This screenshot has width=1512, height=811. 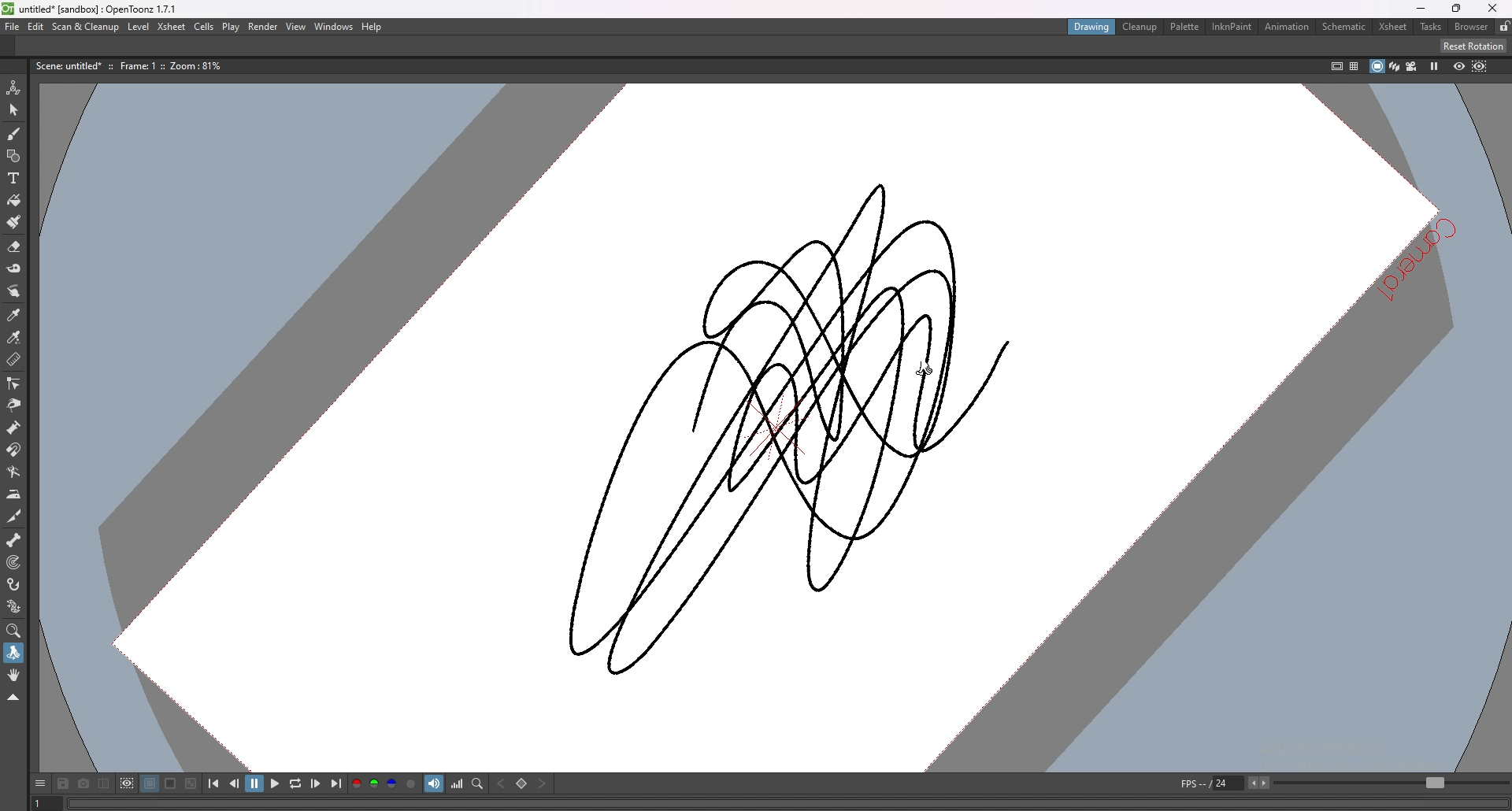 What do you see at coordinates (501, 783) in the screenshot?
I see `previous key` at bounding box center [501, 783].